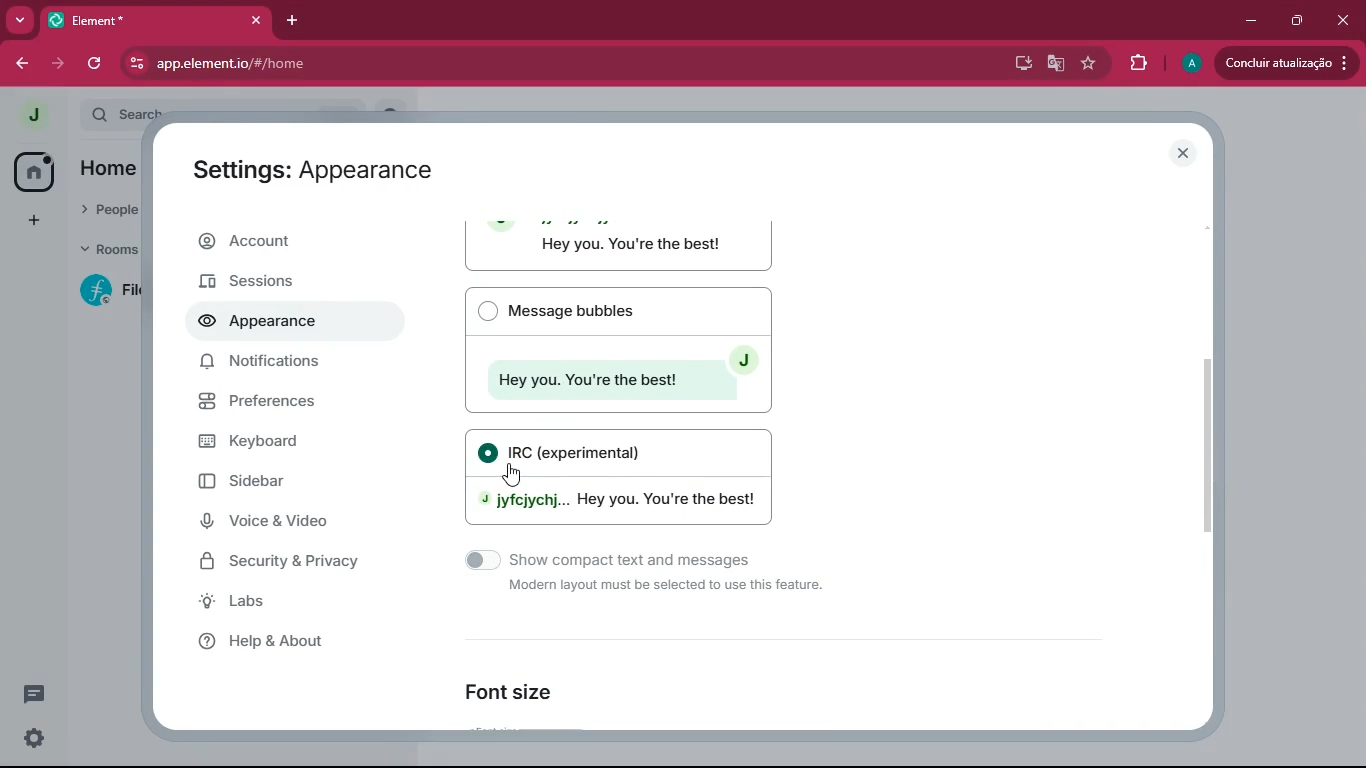  What do you see at coordinates (1180, 151) in the screenshot?
I see `close` at bounding box center [1180, 151].